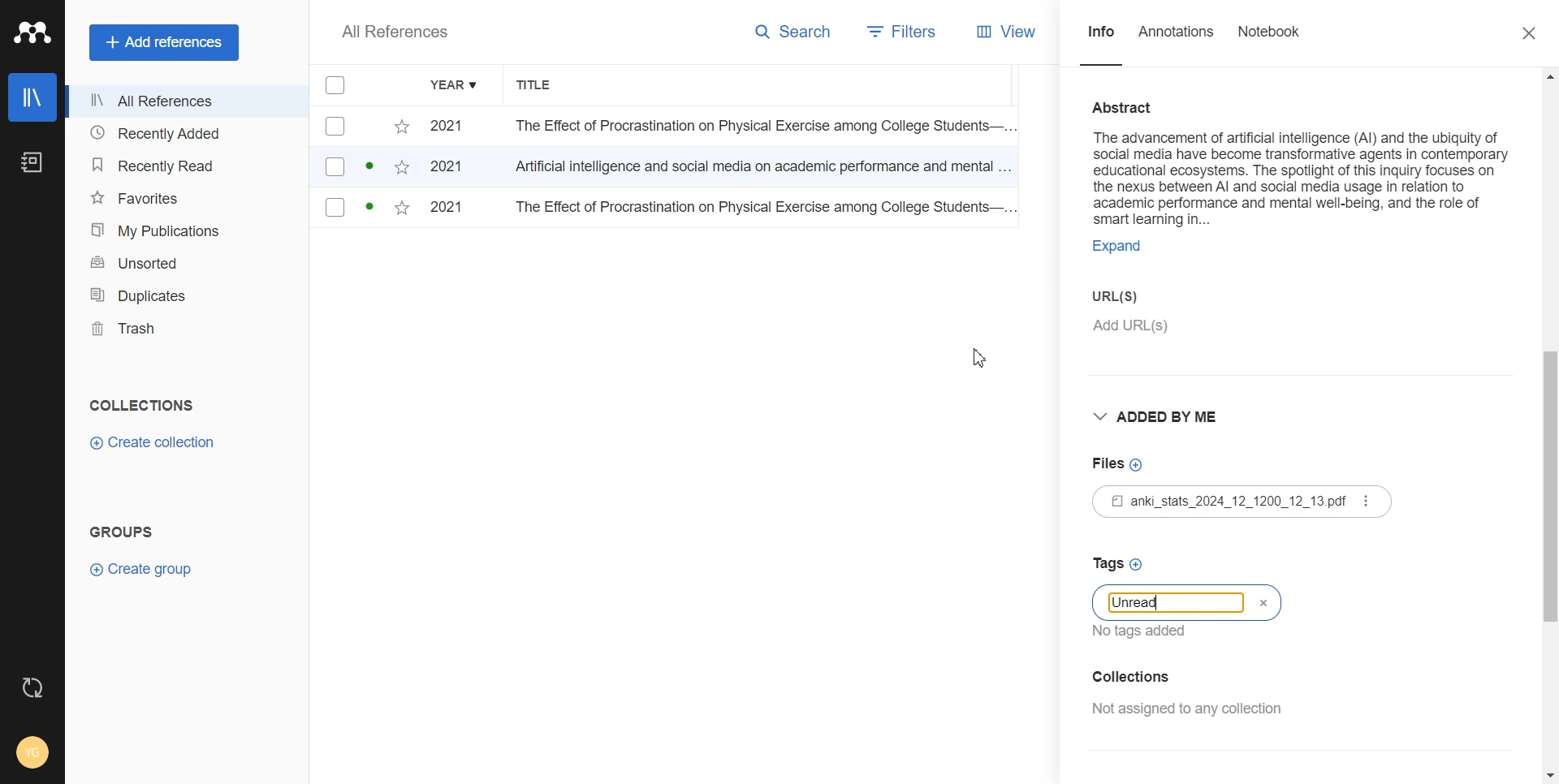 Image resolution: width=1559 pixels, height=784 pixels. What do you see at coordinates (362, 210) in the screenshot?
I see `checkbox` at bounding box center [362, 210].